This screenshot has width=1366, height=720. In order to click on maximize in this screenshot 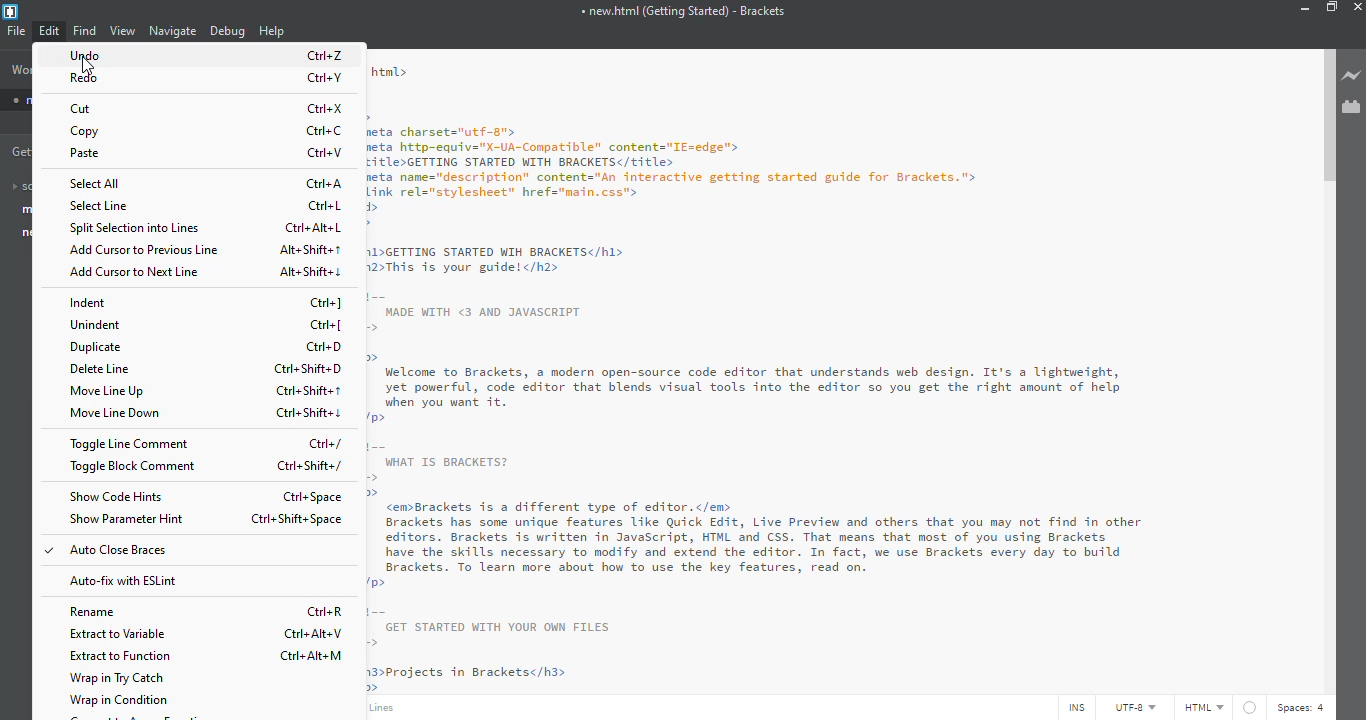, I will do `click(1331, 7)`.